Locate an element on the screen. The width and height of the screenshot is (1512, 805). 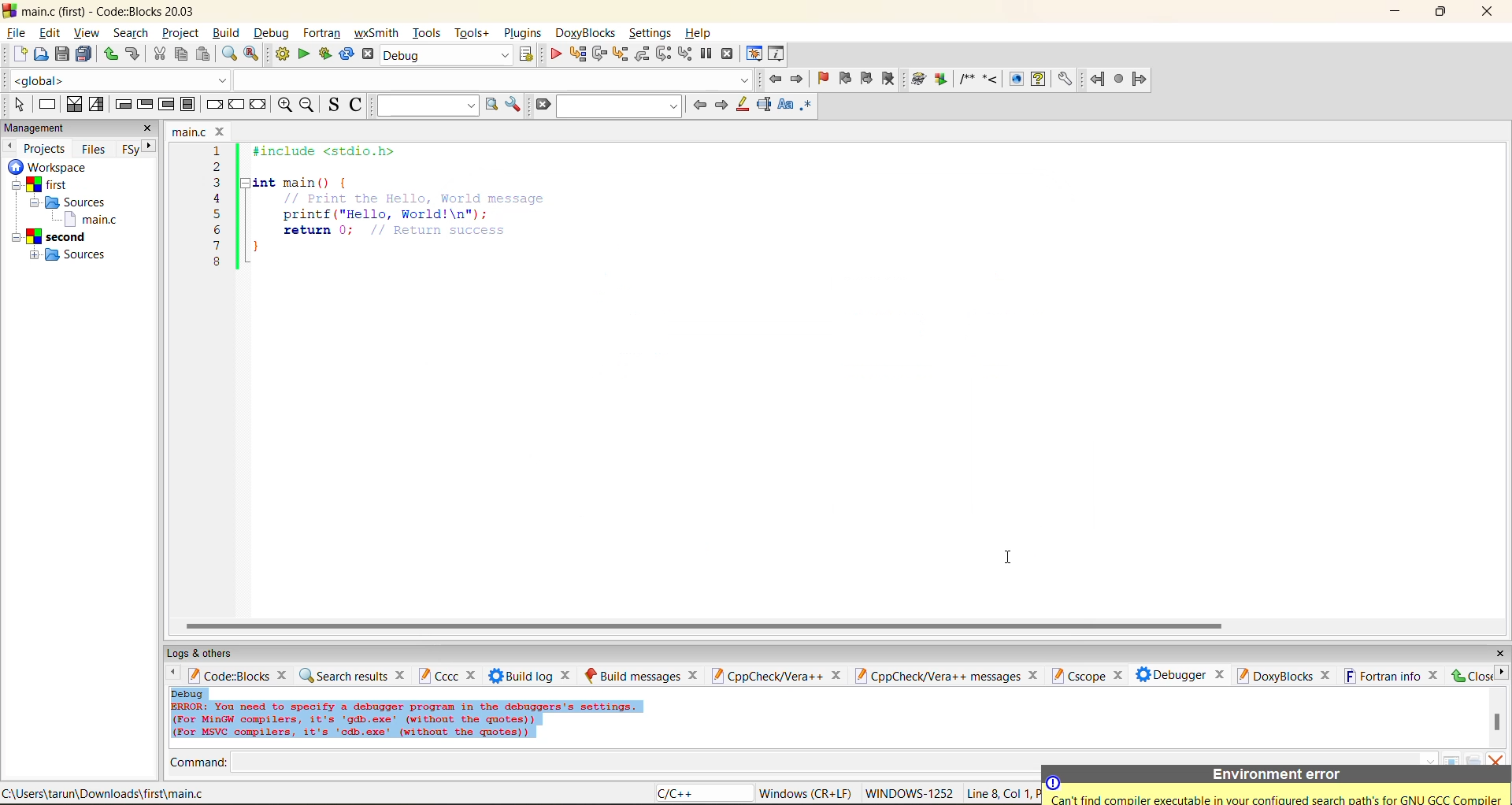
edit is located at coordinates (52, 33).